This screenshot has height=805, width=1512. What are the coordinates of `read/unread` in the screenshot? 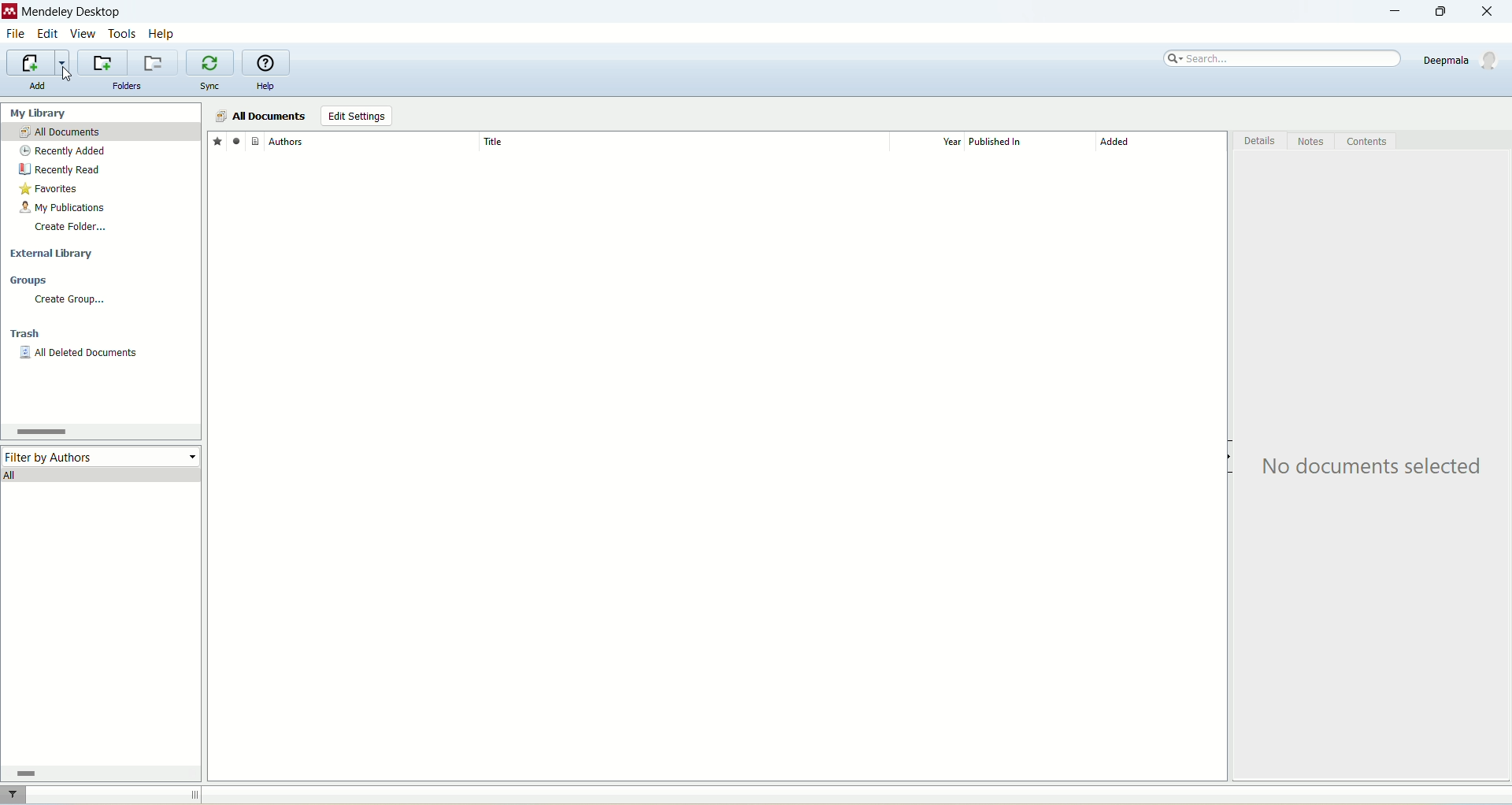 It's located at (234, 140).